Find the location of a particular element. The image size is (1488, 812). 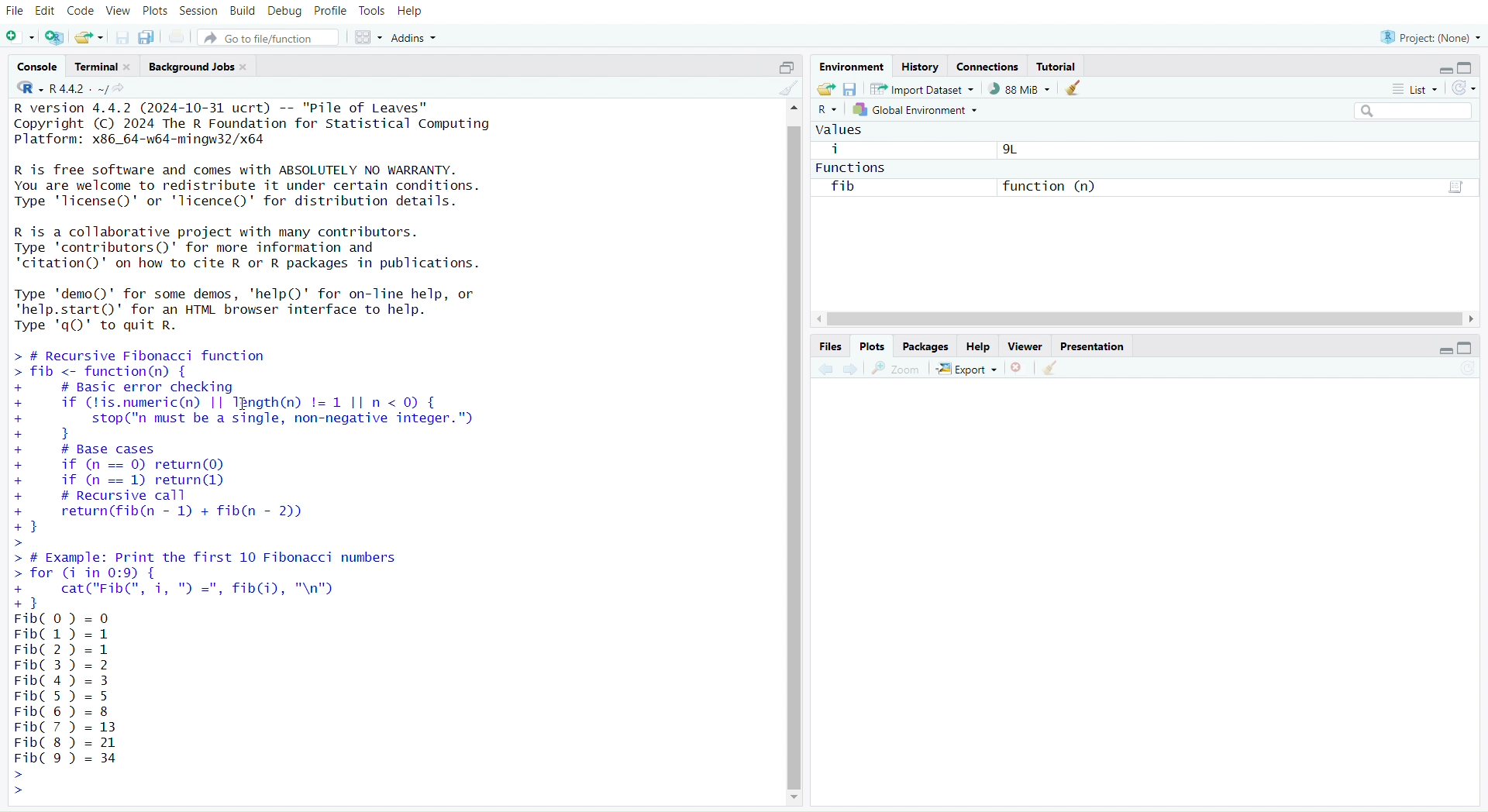

tools is located at coordinates (371, 11).